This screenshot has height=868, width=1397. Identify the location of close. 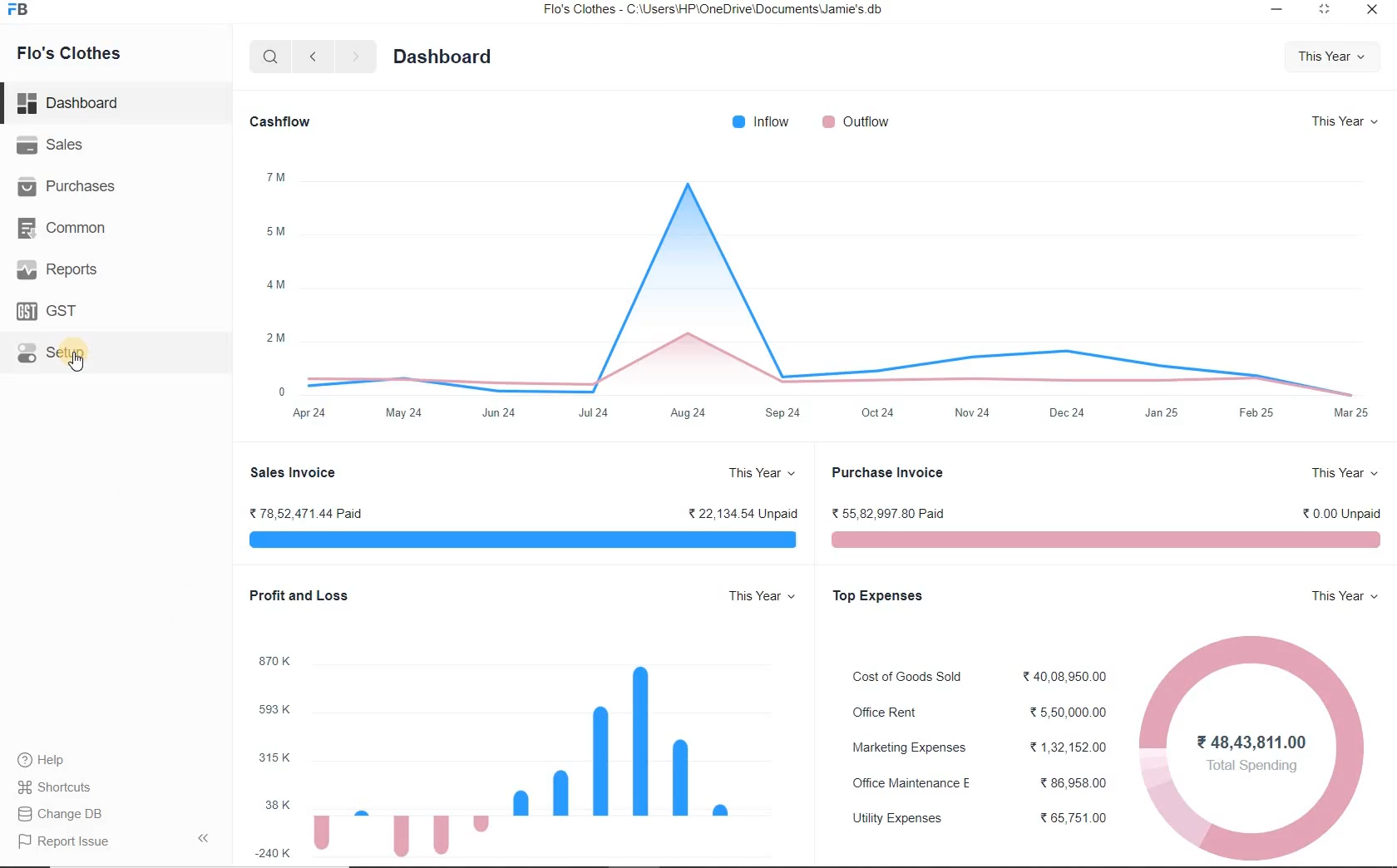
(1371, 8).